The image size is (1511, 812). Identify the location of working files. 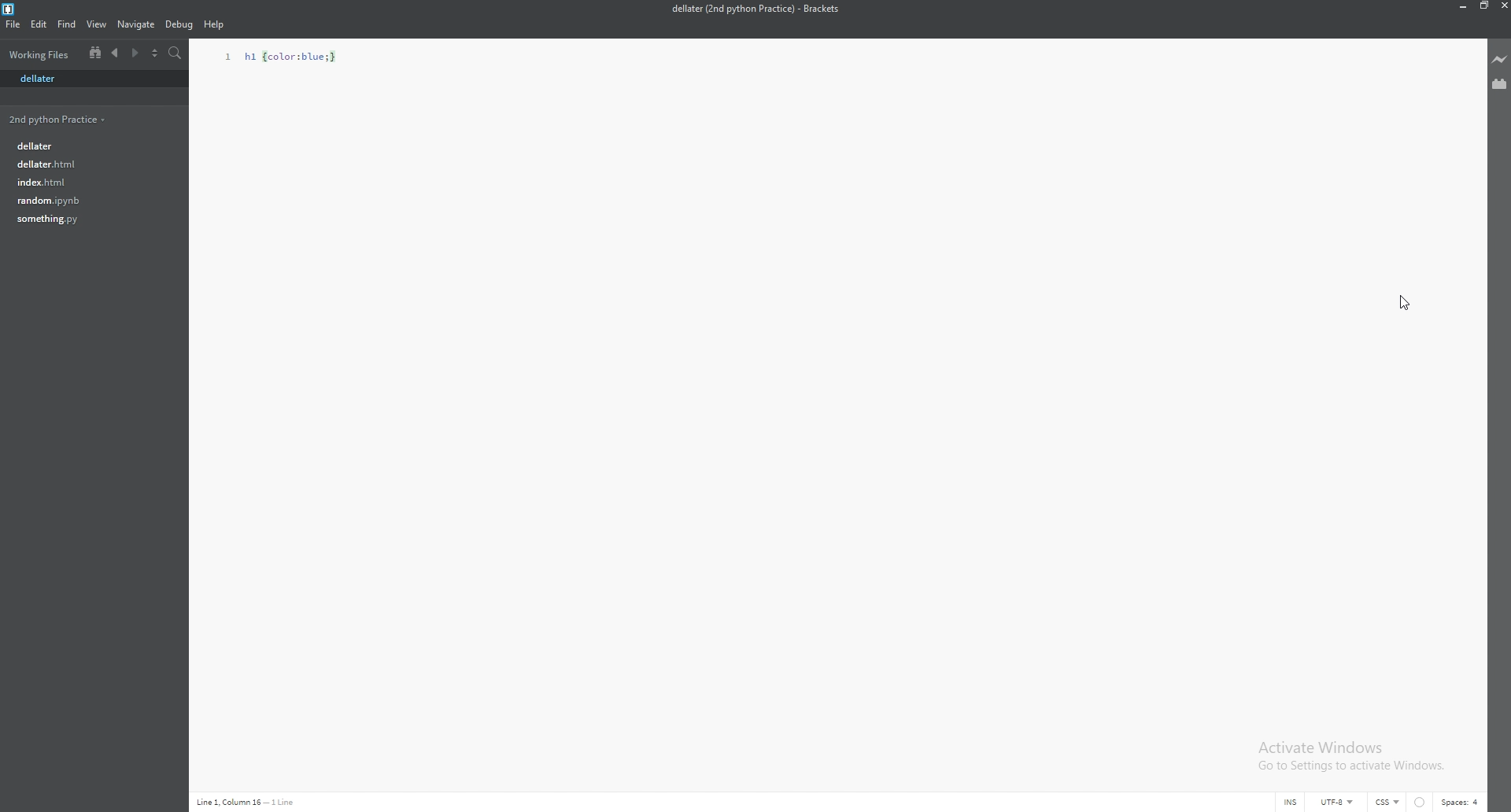
(42, 54).